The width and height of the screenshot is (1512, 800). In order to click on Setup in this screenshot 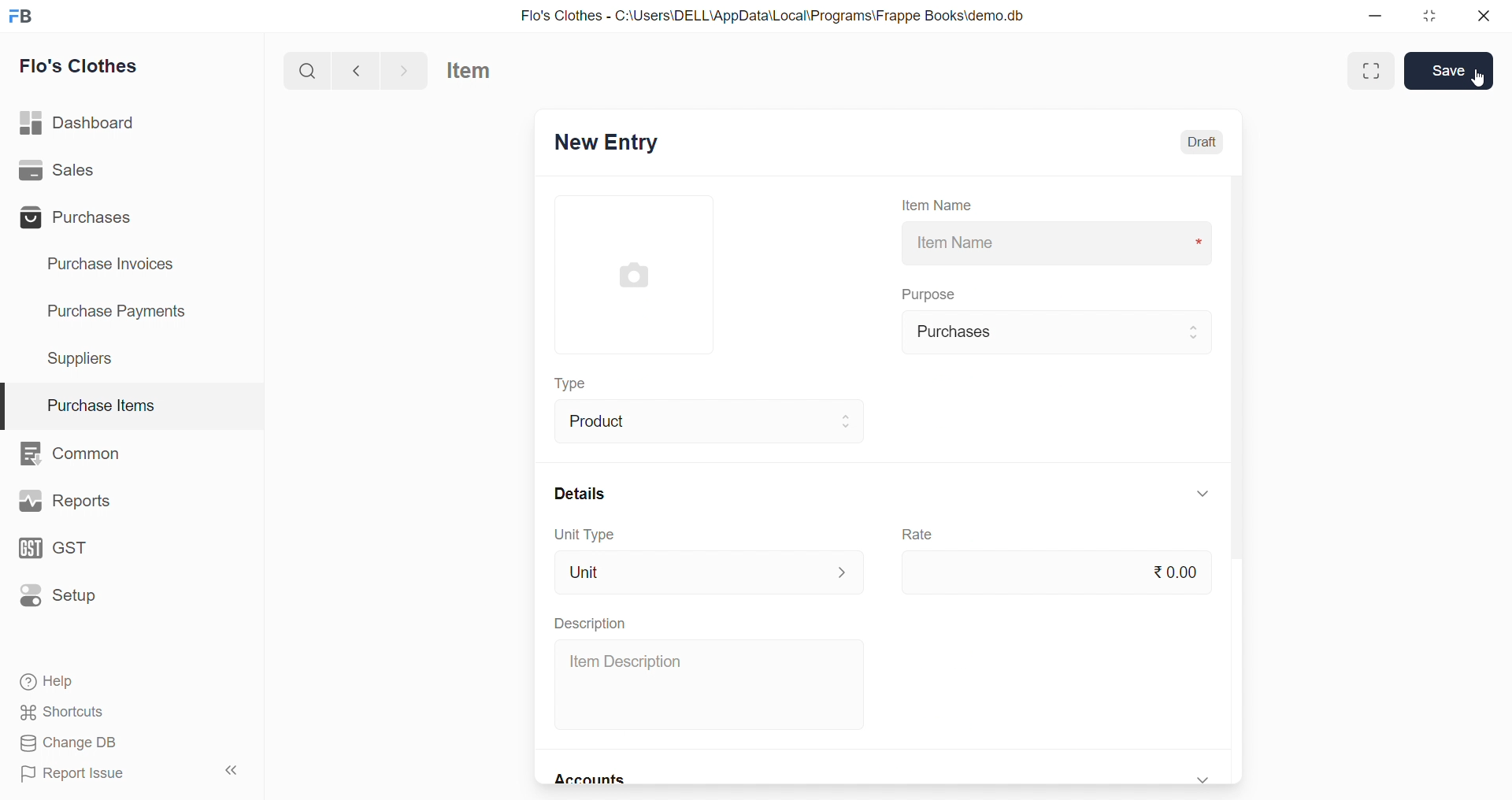, I will do `click(69, 598)`.